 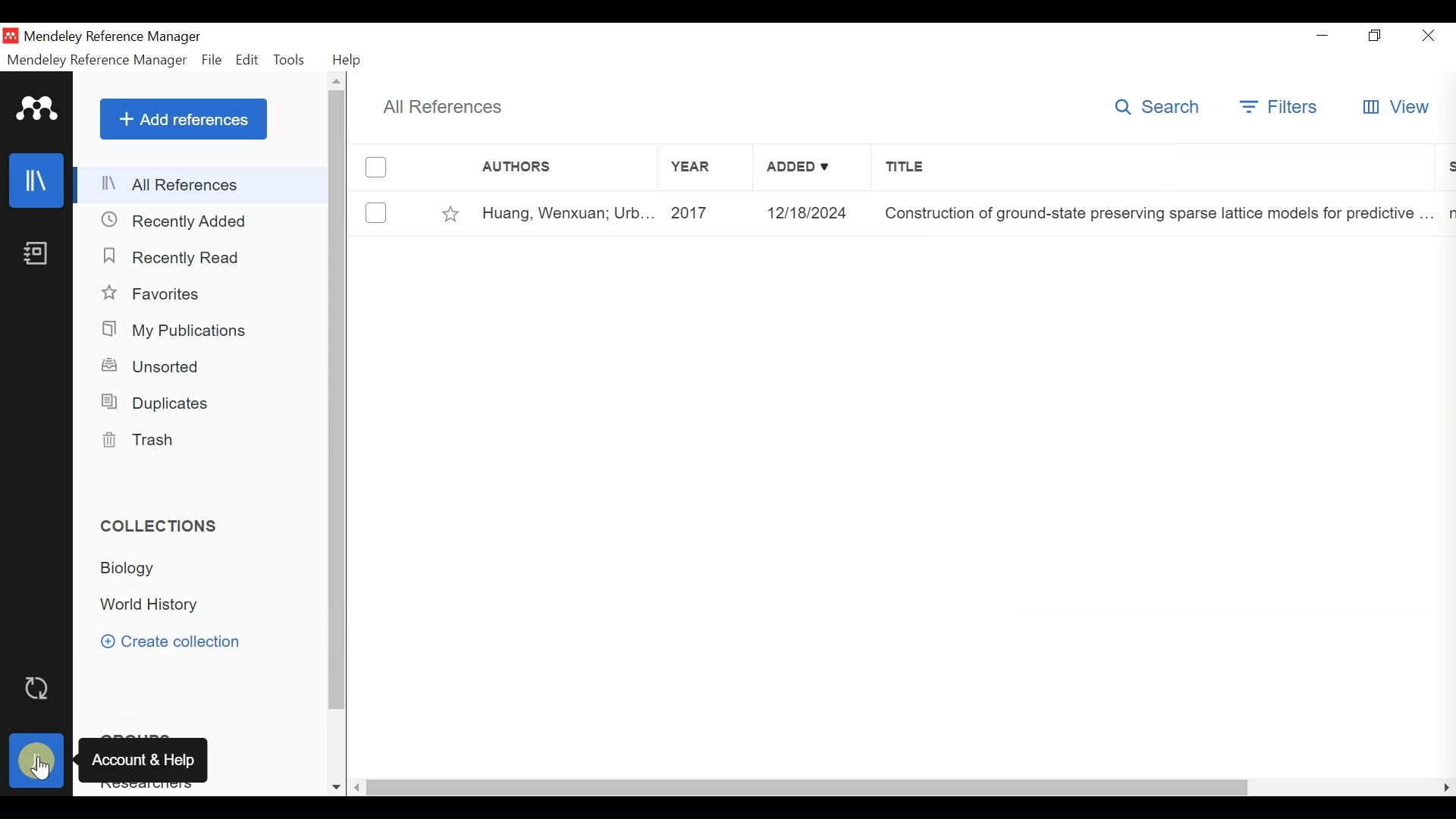 I want to click on (un)select, so click(x=374, y=167).